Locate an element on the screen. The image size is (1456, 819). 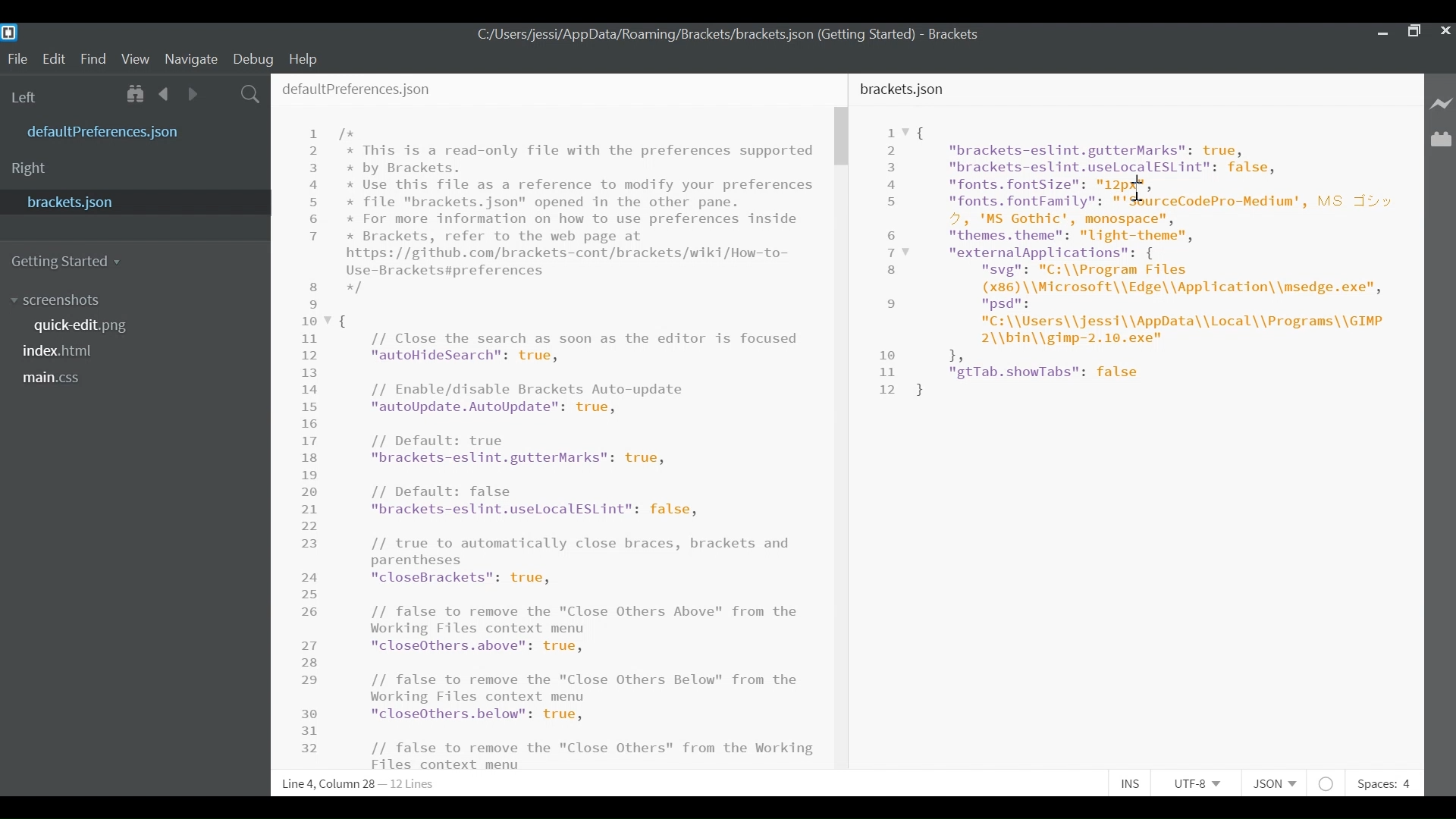
quickedit.png is located at coordinates (93, 325).